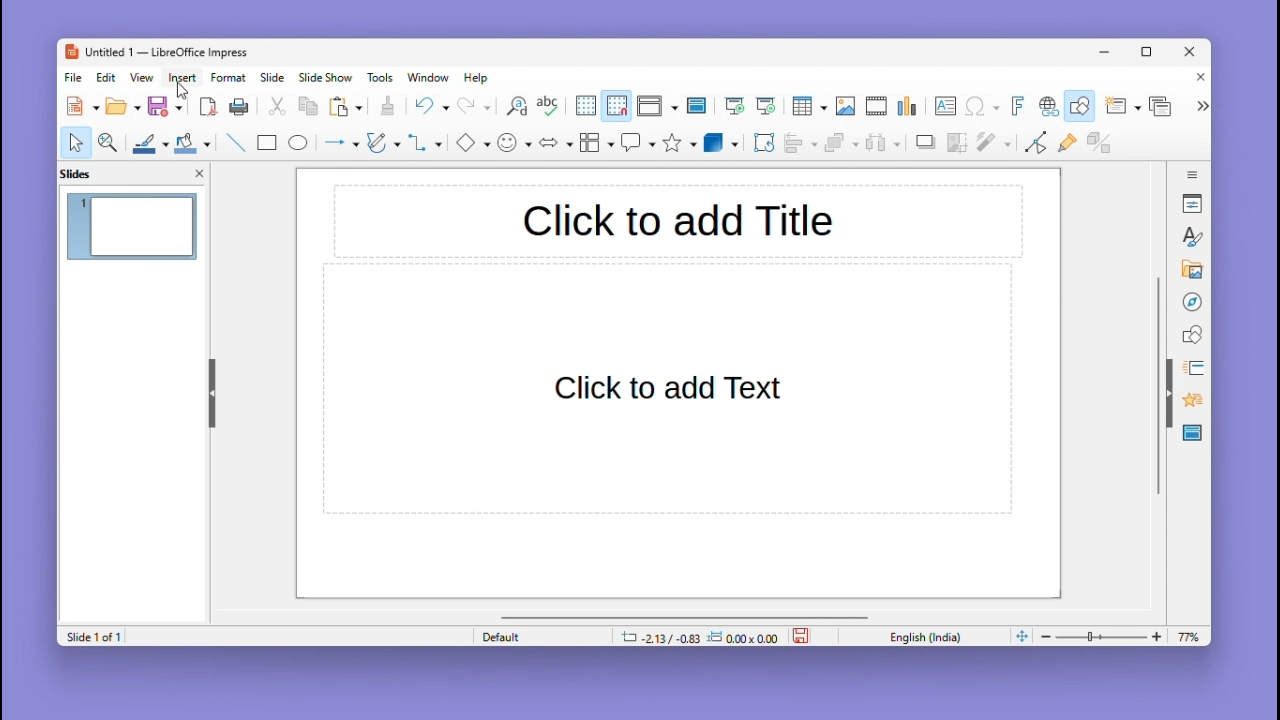 The width and height of the screenshot is (1280, 720). What do you see at coordinates (74, 78) in the screenshot?
I see `File` at bounding box center [74, 78].